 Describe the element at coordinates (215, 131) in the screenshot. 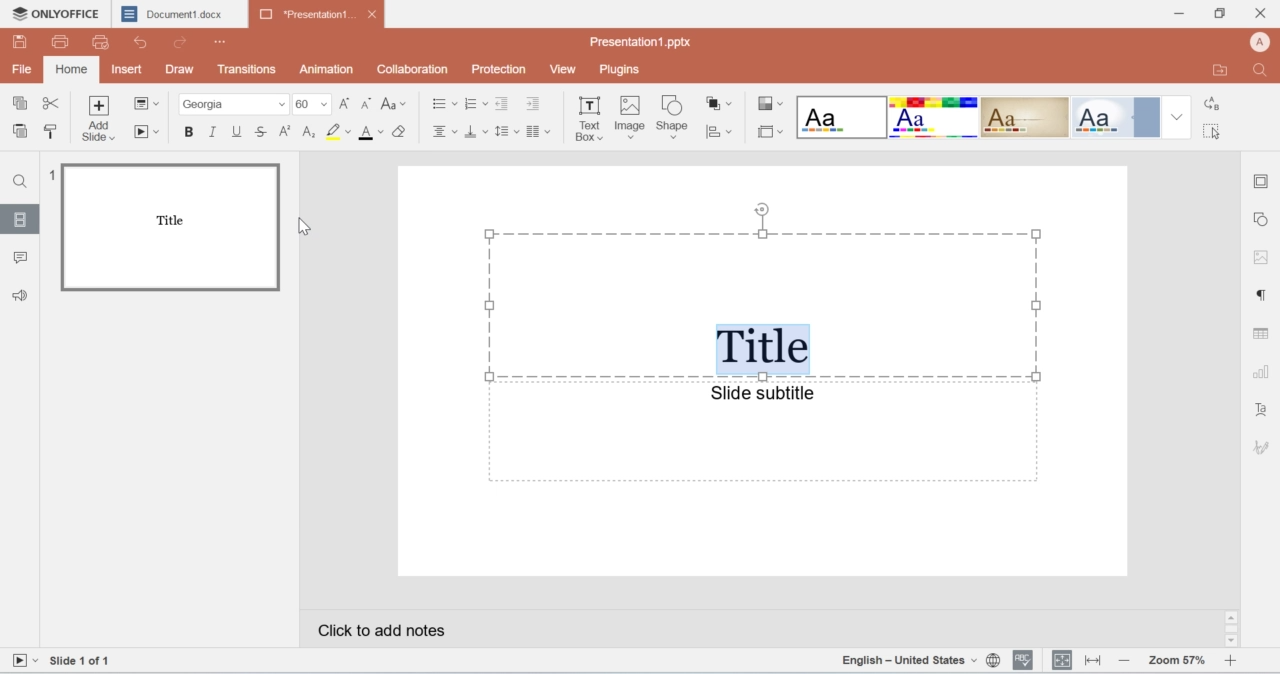

I see `italics` at that location.